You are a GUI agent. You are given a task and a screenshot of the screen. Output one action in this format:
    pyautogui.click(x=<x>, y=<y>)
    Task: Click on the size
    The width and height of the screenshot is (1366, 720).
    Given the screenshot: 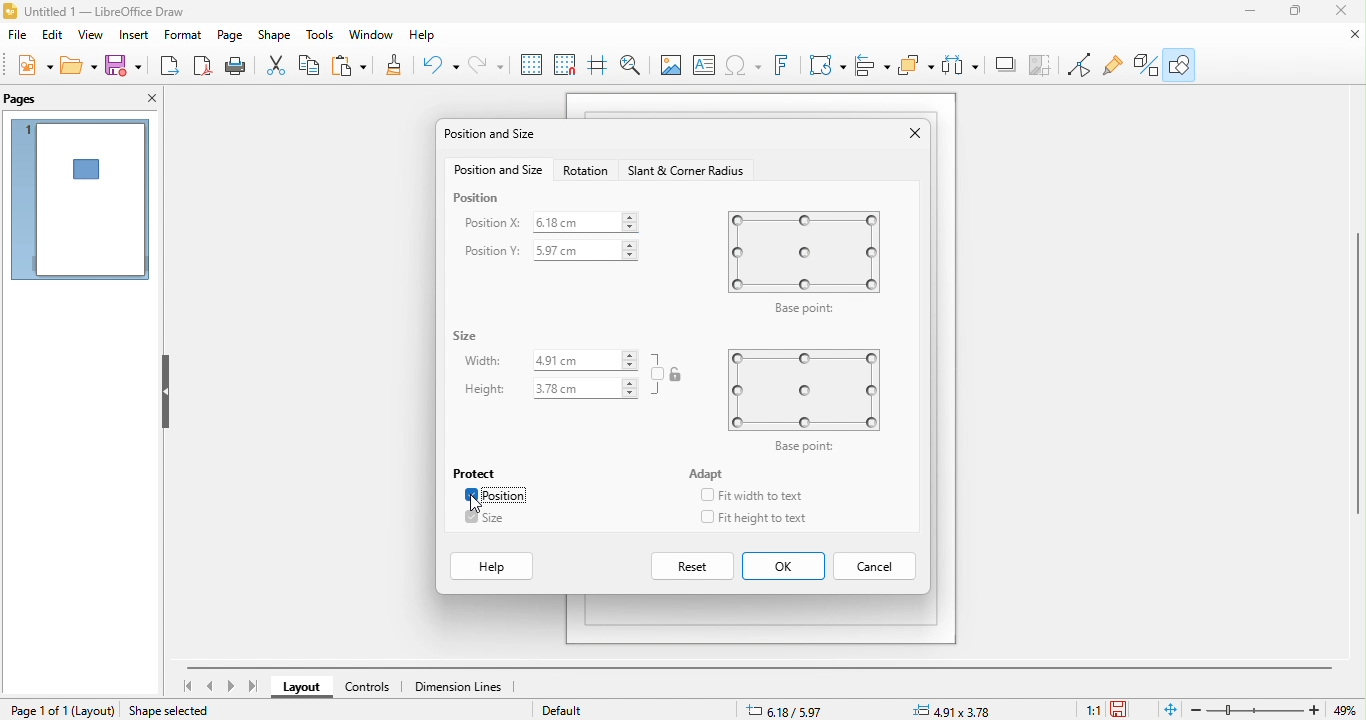 What is the action you would take?
    pyautogui.click(x=498, y=519)
    